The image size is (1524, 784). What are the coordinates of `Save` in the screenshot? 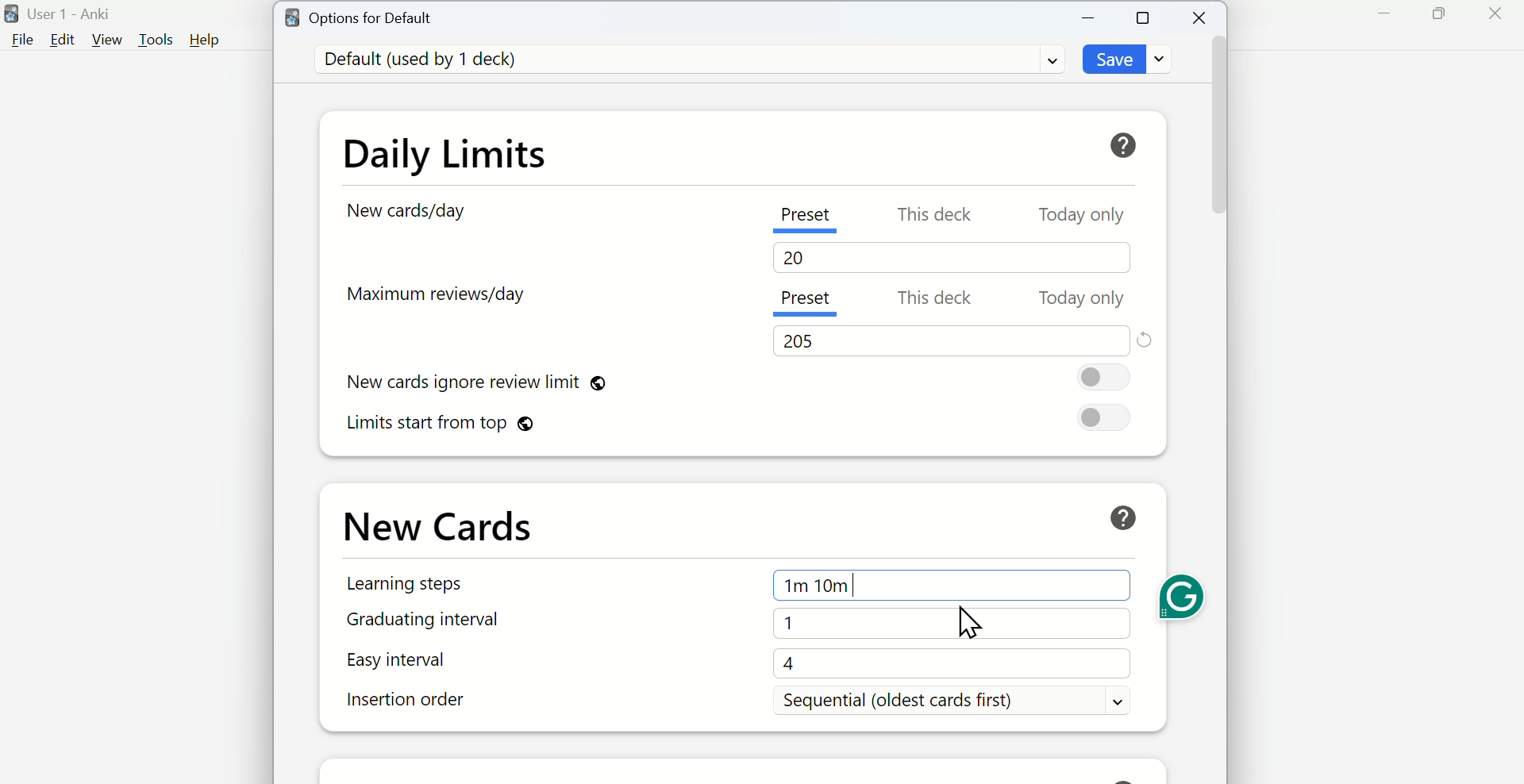 It's located at (1118, 61).